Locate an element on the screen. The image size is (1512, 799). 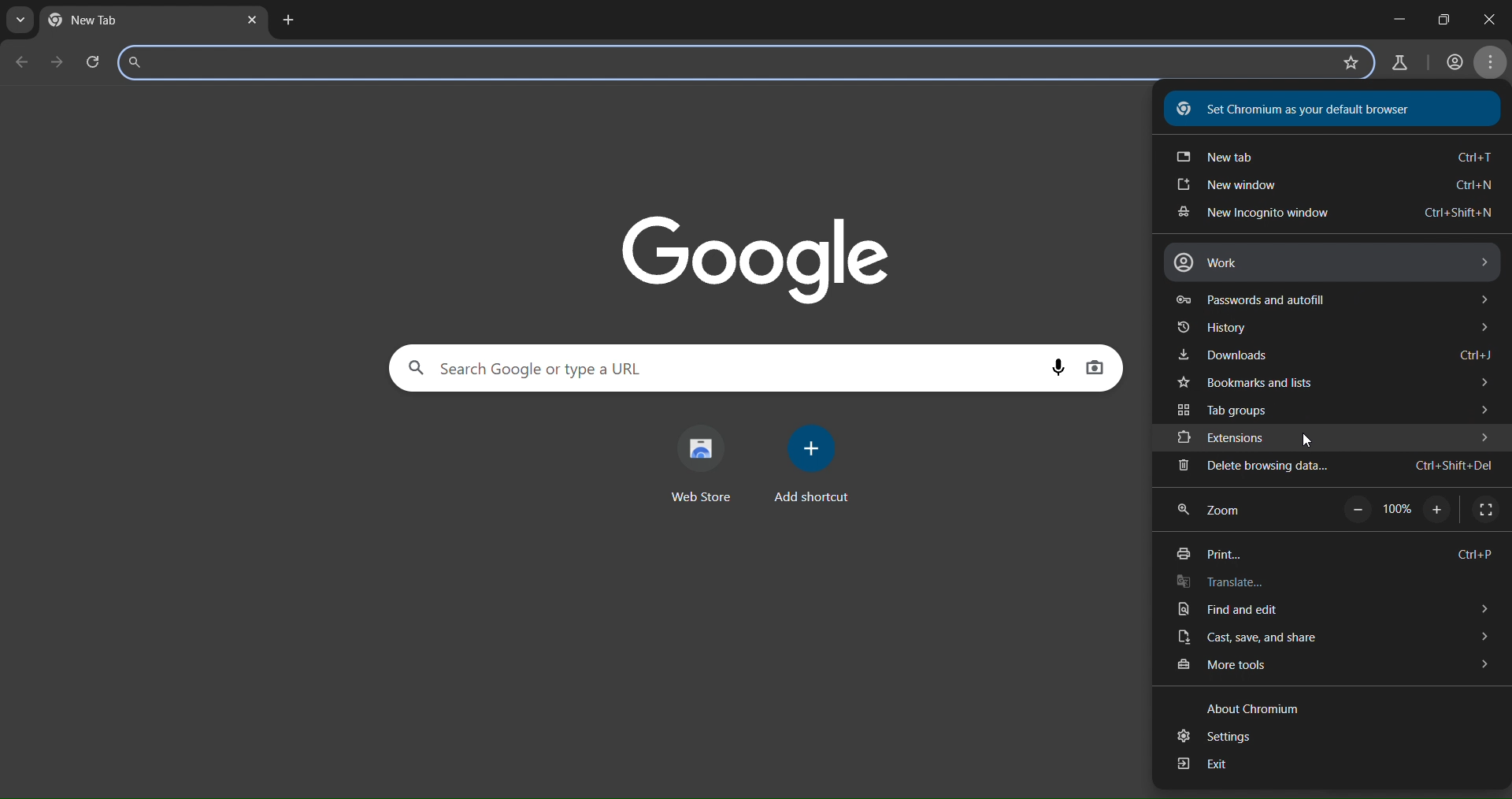
new tab is located at coordinates (1329, 156).